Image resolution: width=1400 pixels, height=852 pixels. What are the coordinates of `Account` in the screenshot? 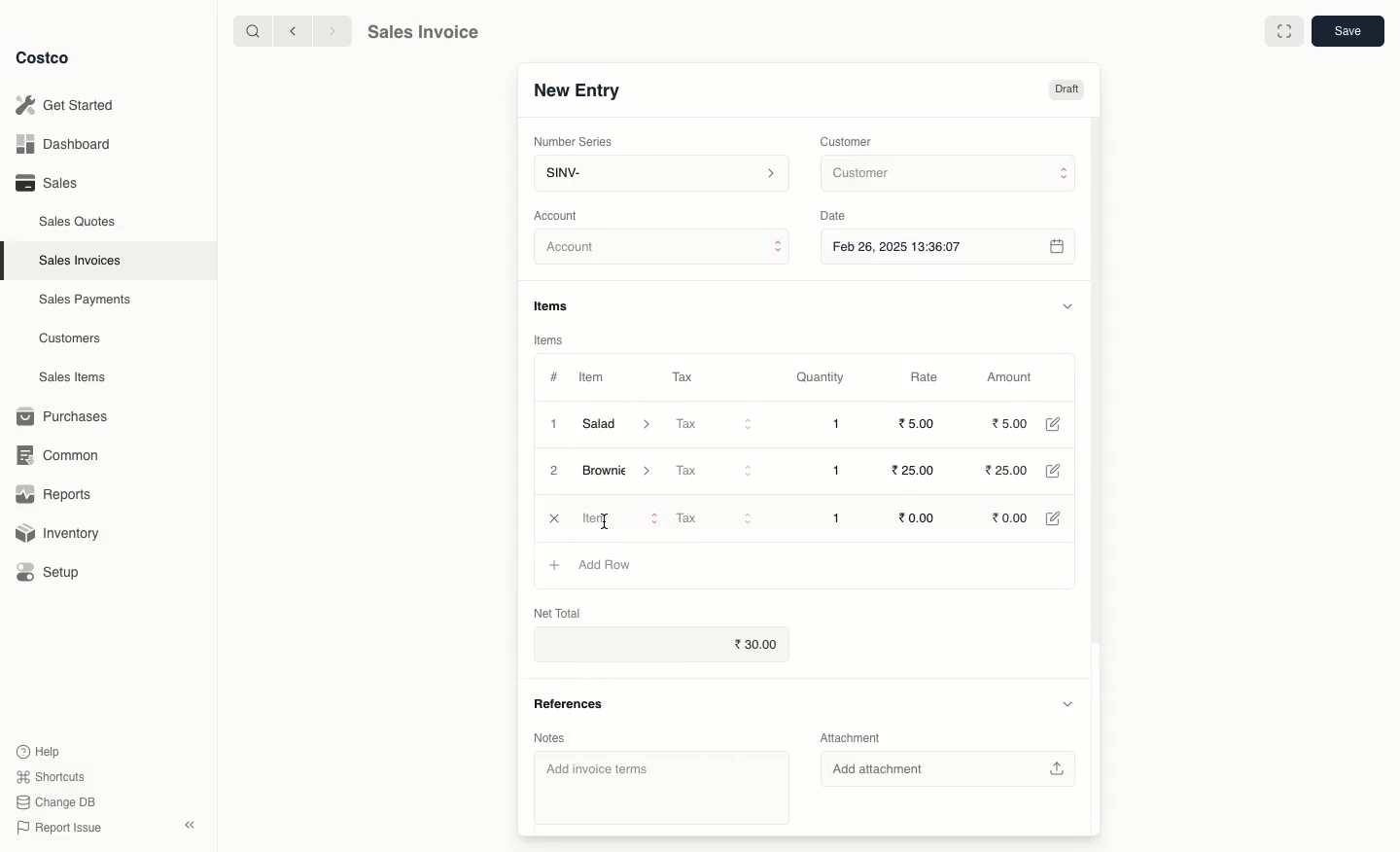 It's located at (663, 250).